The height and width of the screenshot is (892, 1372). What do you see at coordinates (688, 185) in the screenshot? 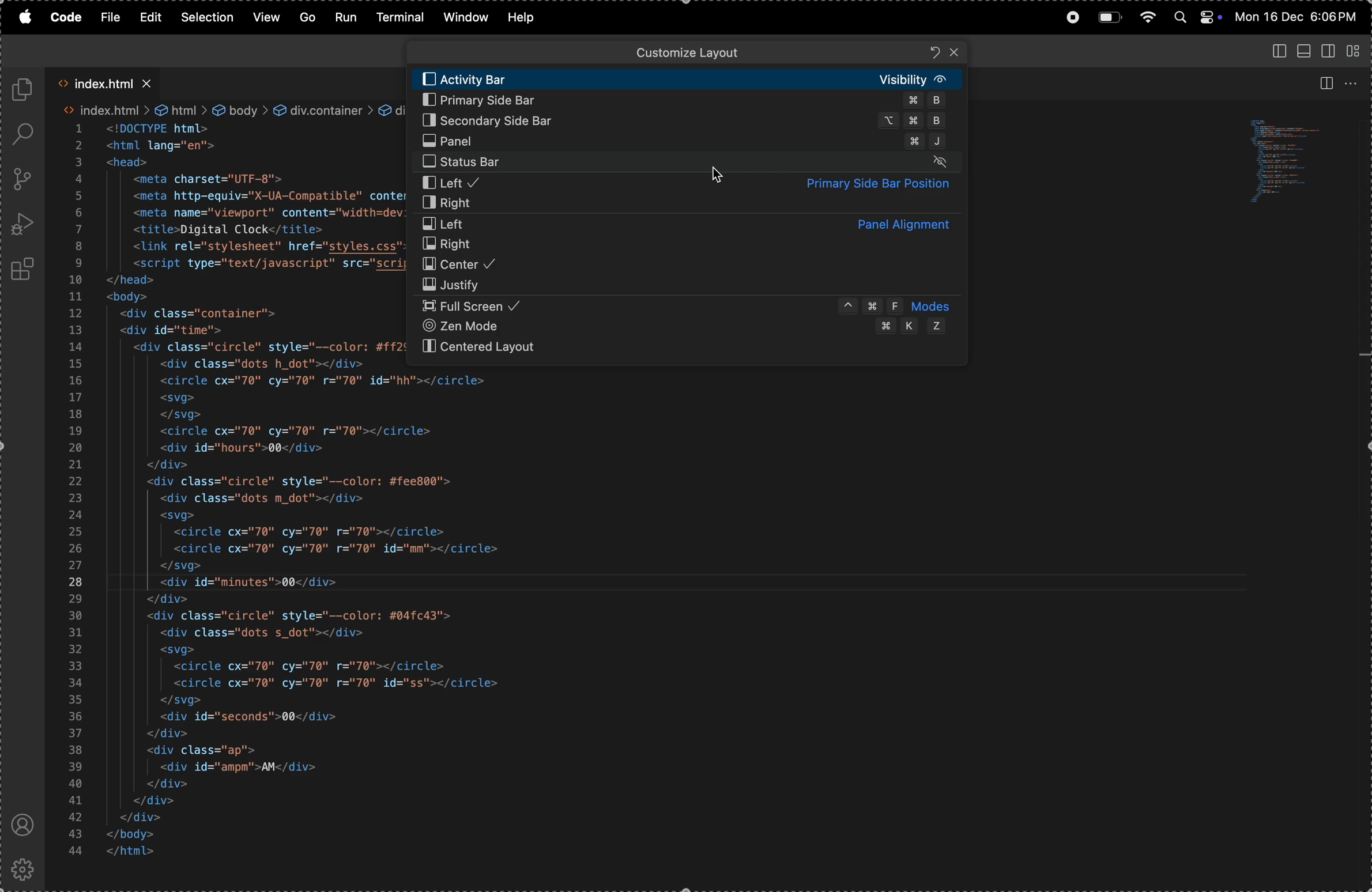
I see `left ` at bounding box center [688, 185].